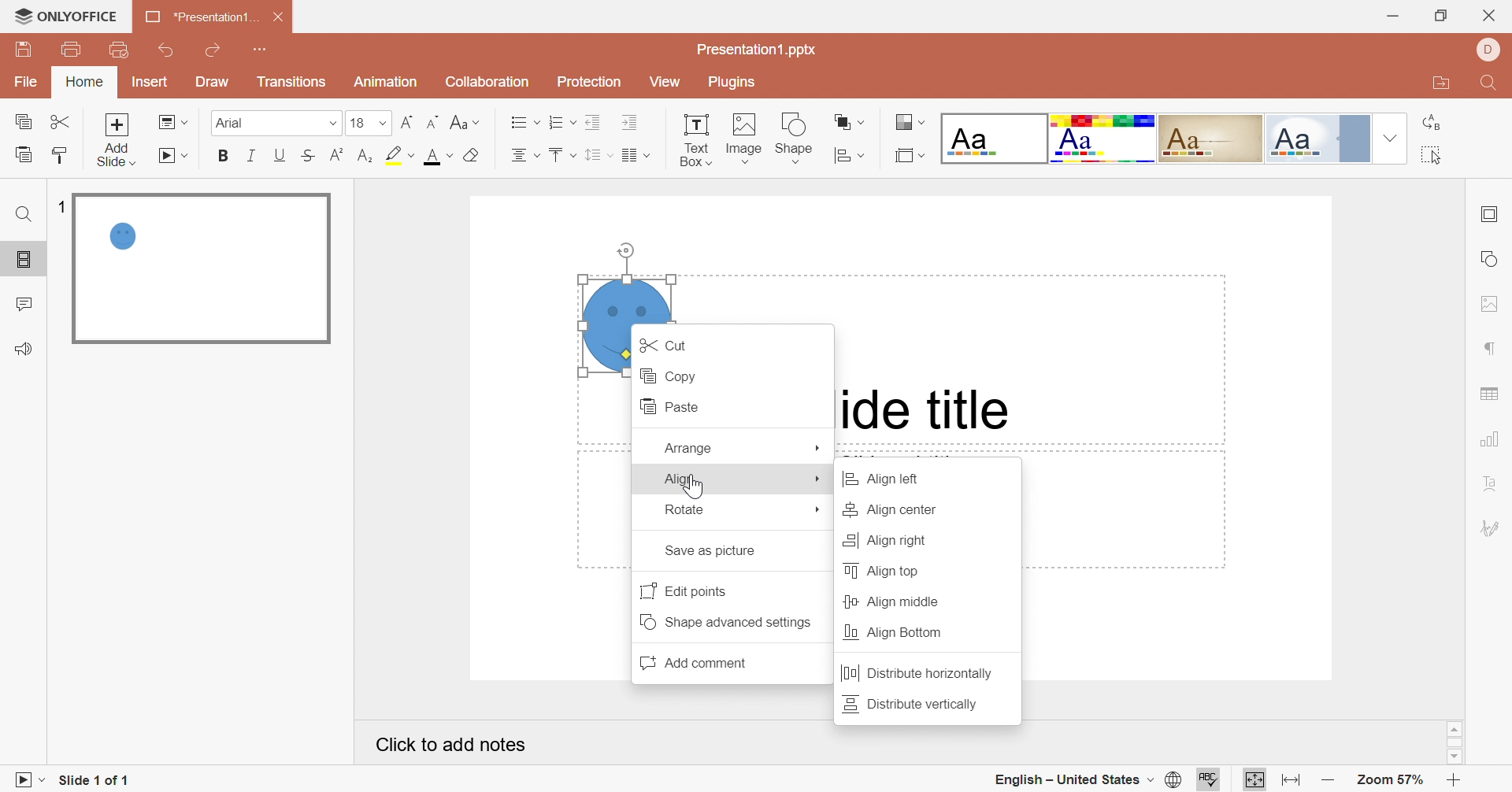  What do you see at coordinates (819, 481) in the screenshot?
I see `More` at bounding box center [819, 481].